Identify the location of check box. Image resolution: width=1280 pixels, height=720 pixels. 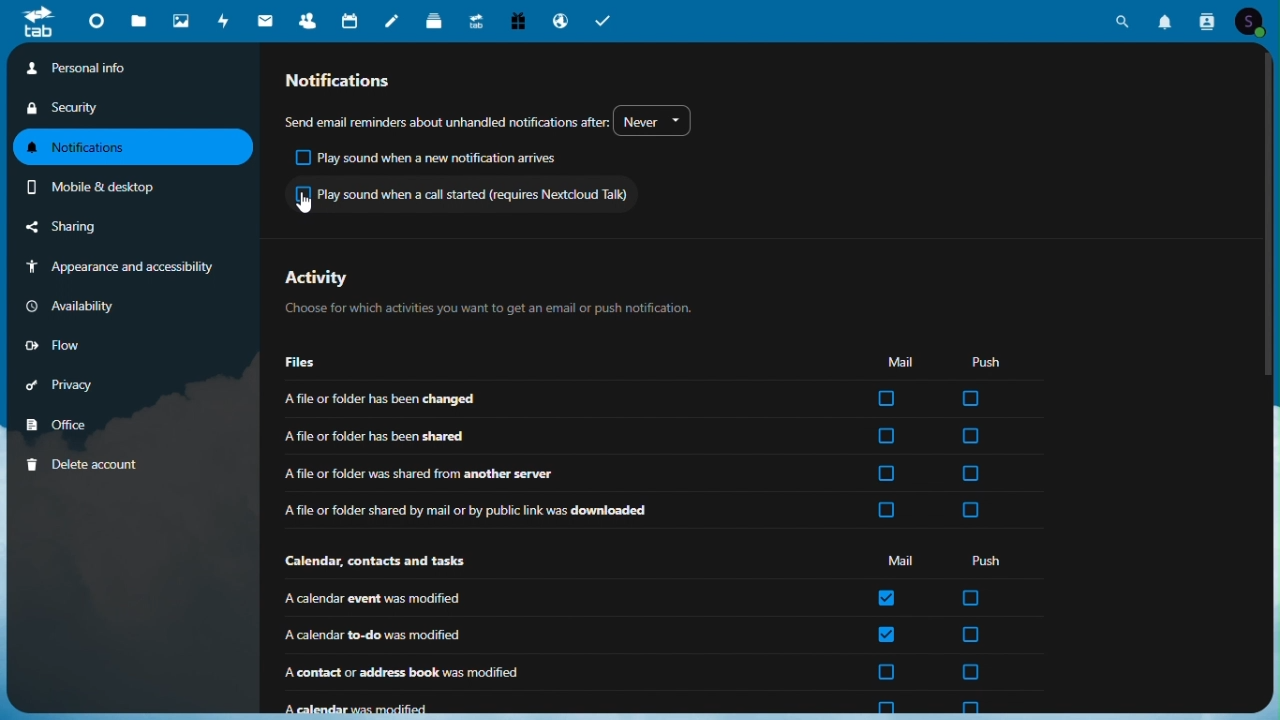
(886, 672).